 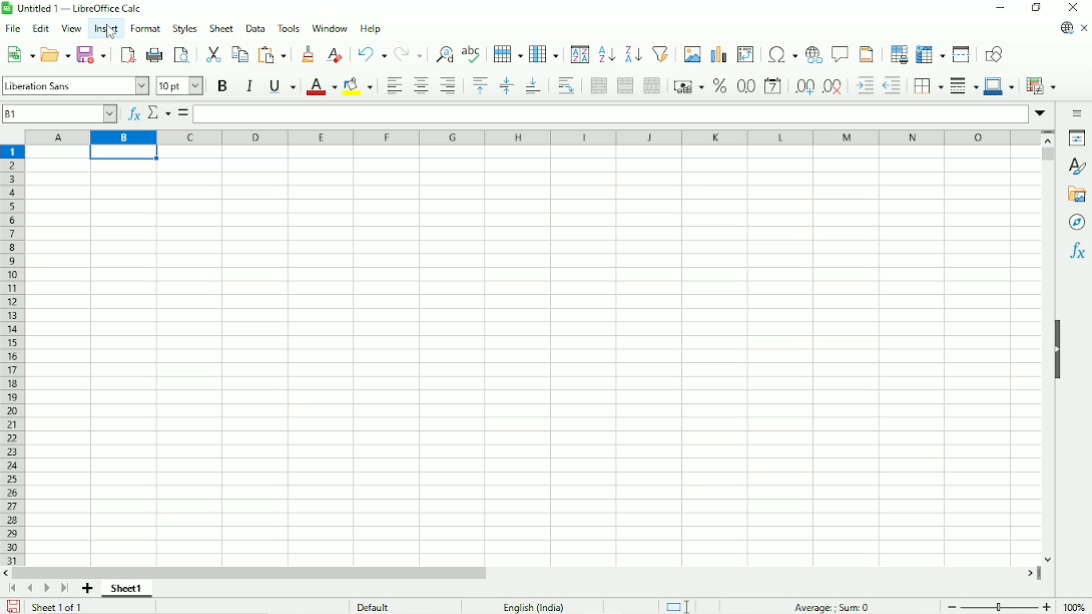 I want to click on Styles, so click(x=185, y=28).